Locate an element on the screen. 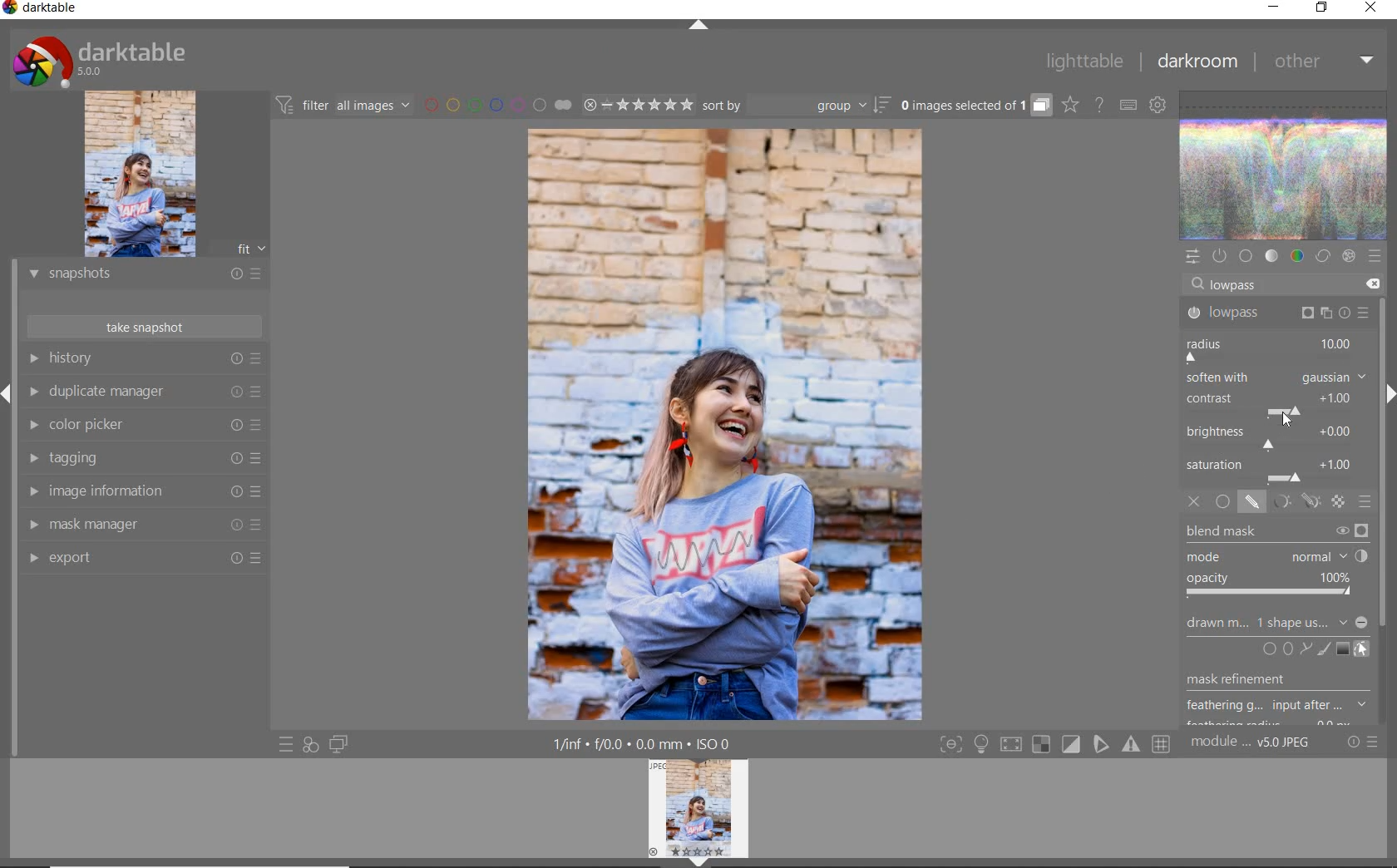 Image resolution: width=1397 pixels, height=868 pixels. filter all images by module order is located at coordinates (344, 106).